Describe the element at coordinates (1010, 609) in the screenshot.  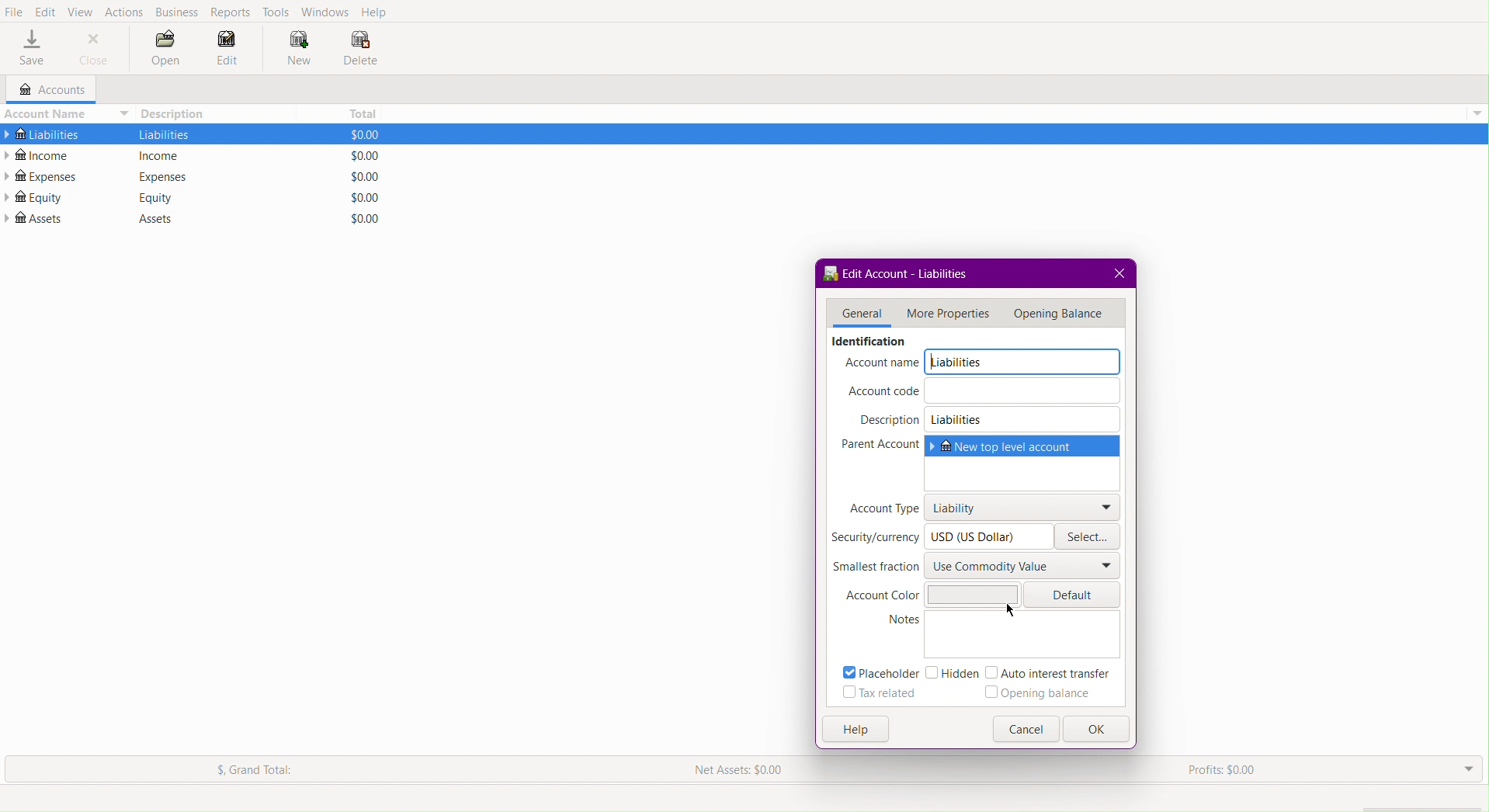
I see `cursor` at that location.